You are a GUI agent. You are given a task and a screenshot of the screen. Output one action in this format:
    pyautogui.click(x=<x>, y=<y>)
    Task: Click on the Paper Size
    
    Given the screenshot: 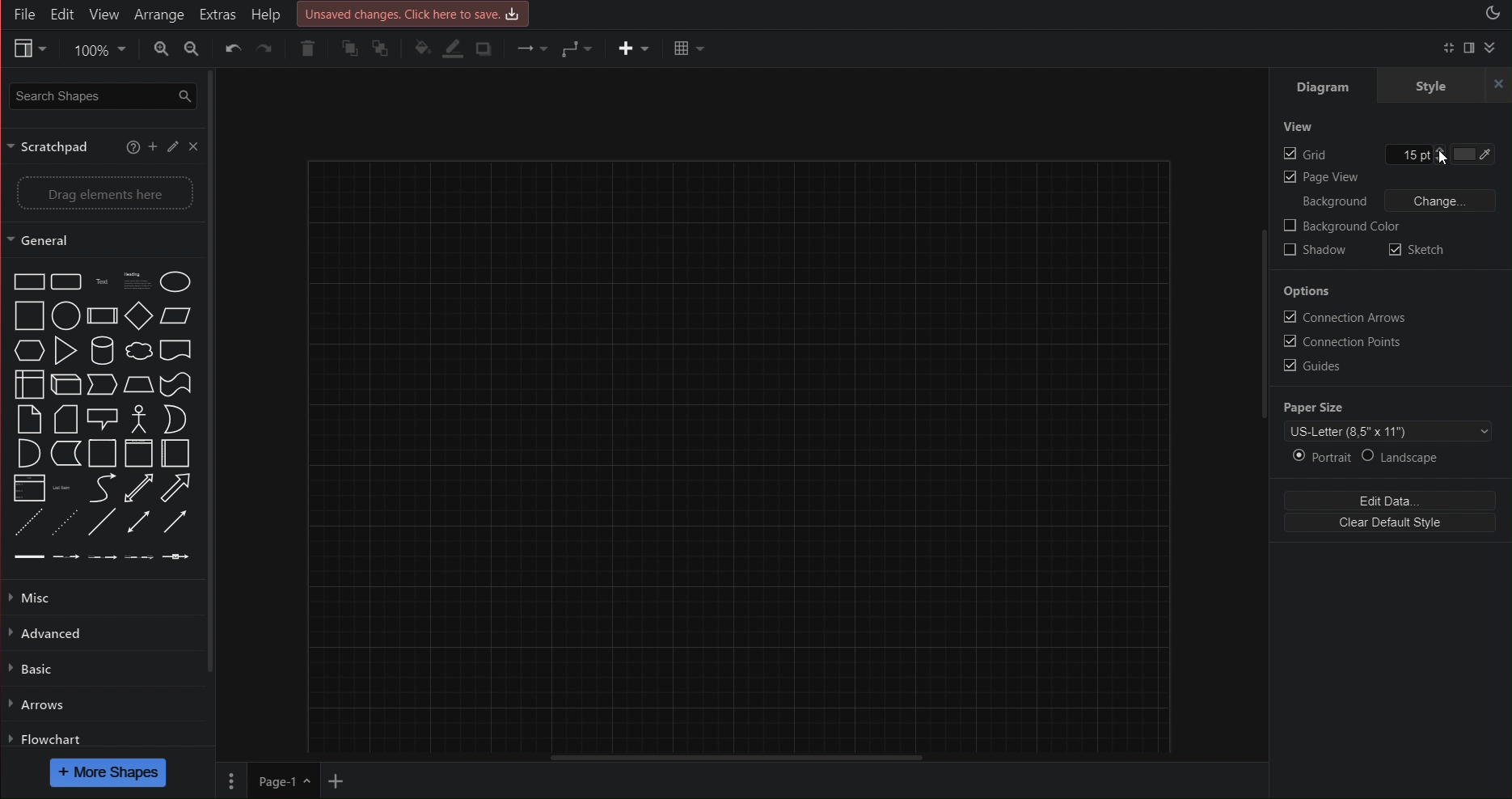 What is the action you would take?
    pyautogui.click(x=1315, y=406)
    